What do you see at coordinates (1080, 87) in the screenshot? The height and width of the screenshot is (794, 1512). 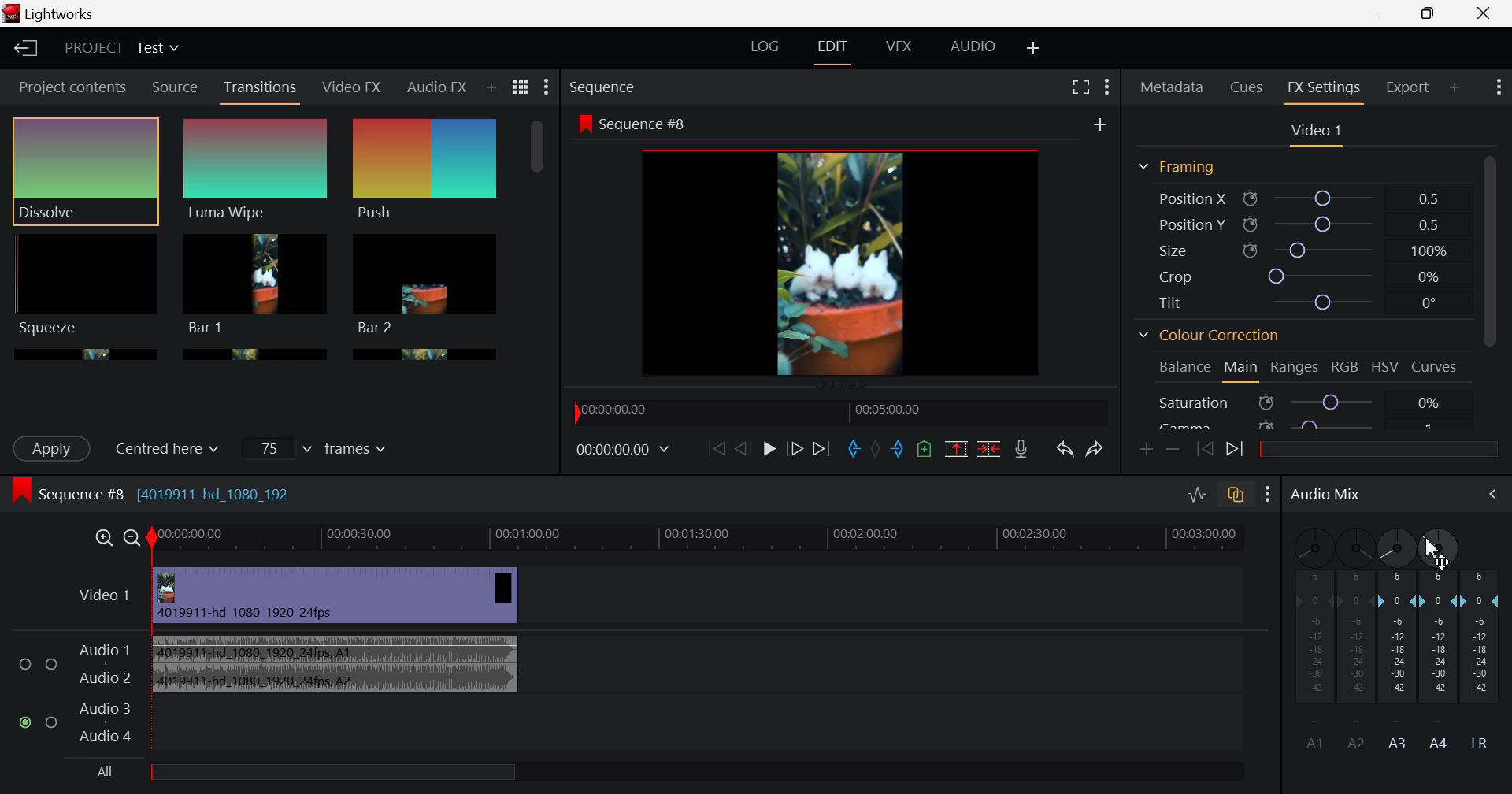 I see `Full Screen` at bounding box center [1080, 87].